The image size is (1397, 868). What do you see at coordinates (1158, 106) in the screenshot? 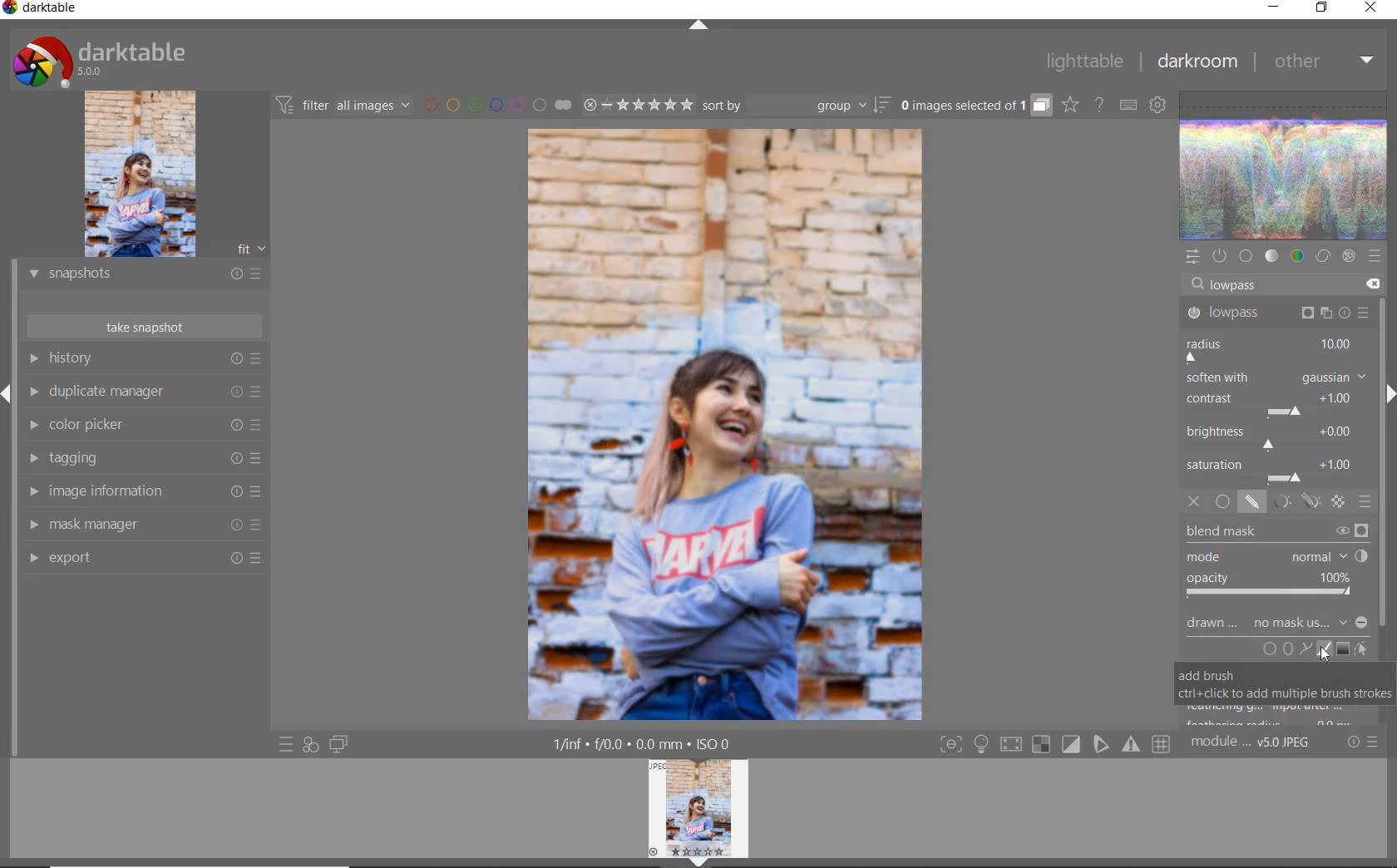
I see `show global preferences` at bounding box center [1158, 106].